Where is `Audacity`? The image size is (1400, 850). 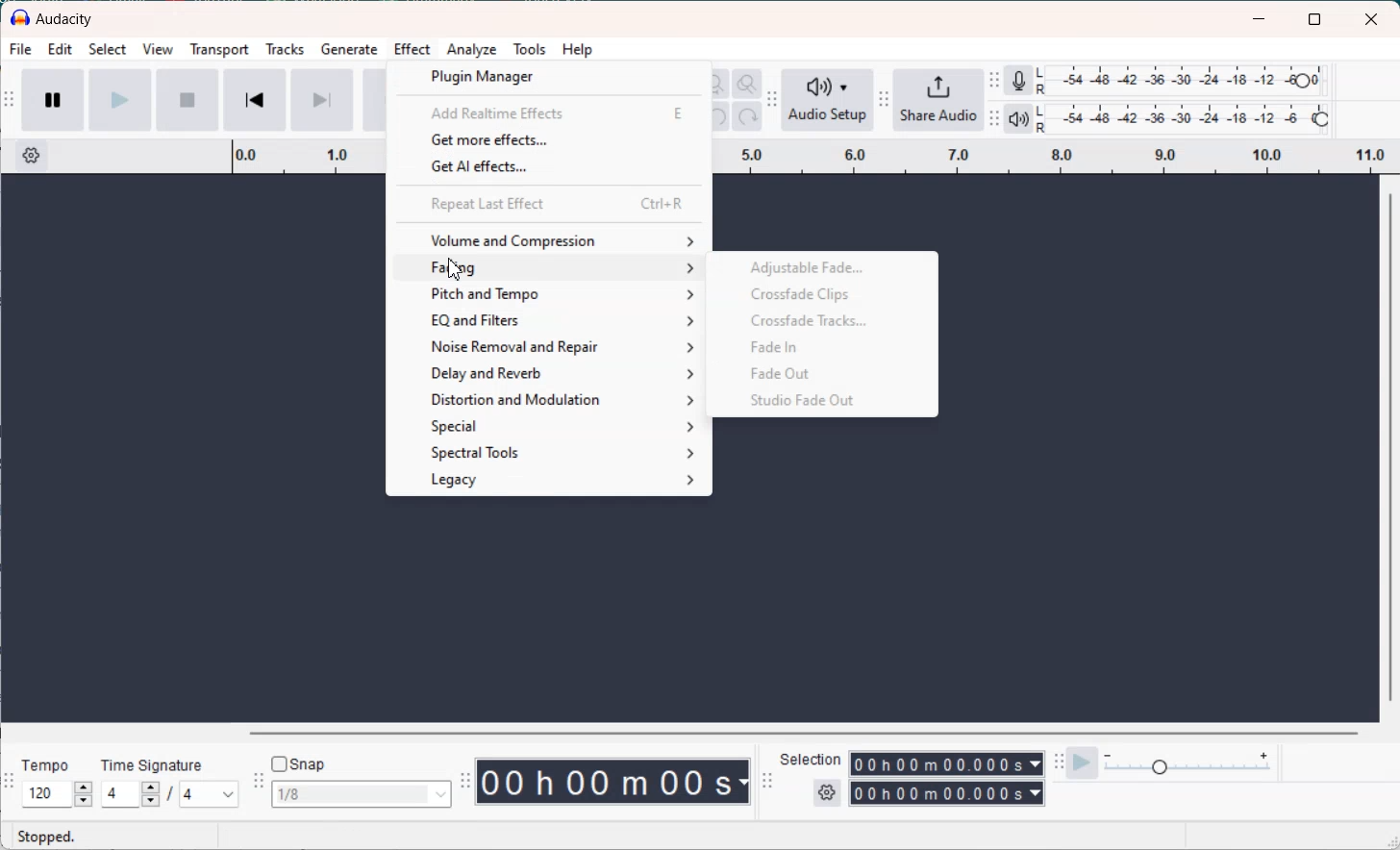 Audacity is located at coordinates (54, 19).